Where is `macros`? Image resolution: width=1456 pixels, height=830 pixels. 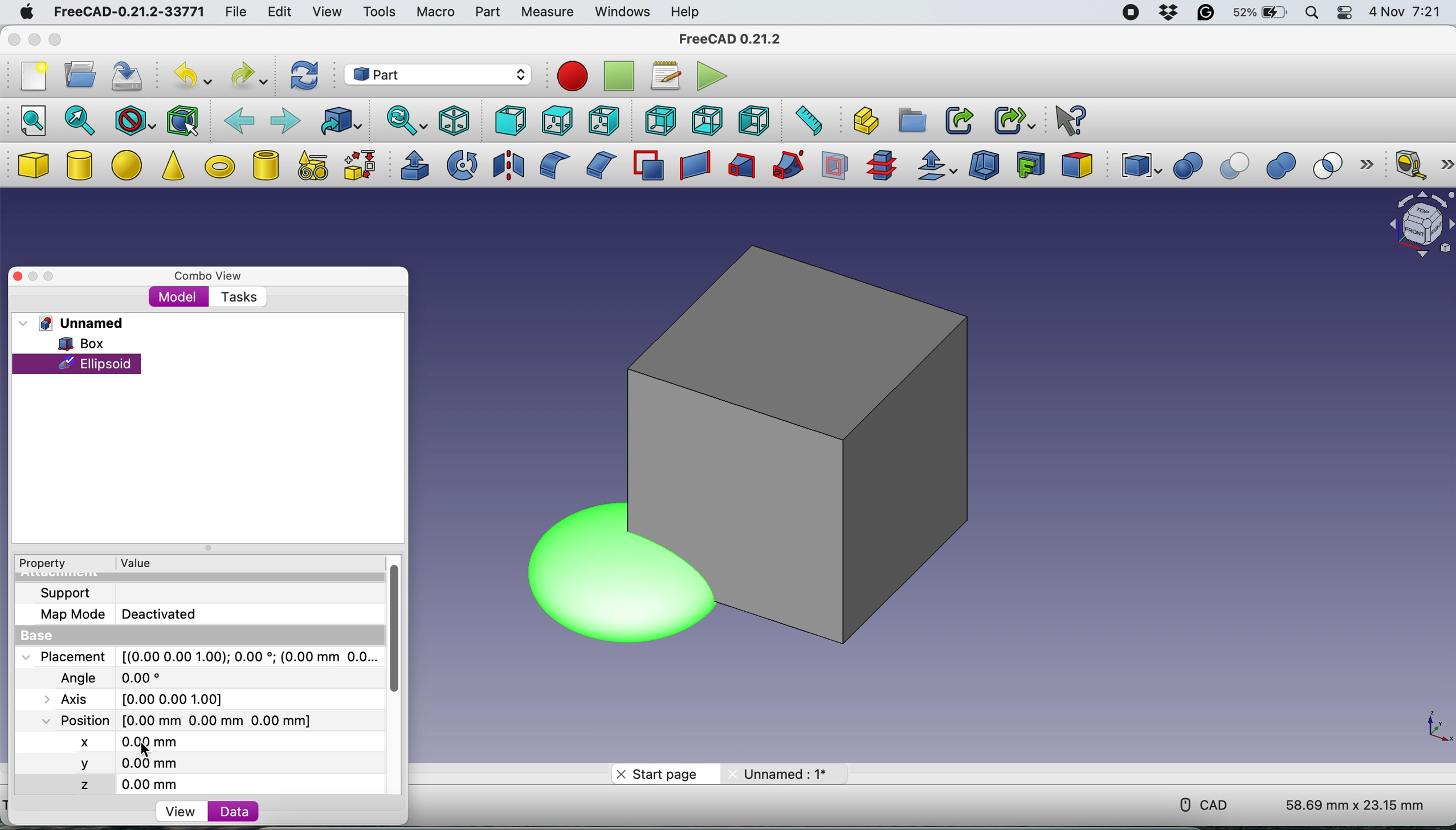
macros is located at coordinates (663, 76).